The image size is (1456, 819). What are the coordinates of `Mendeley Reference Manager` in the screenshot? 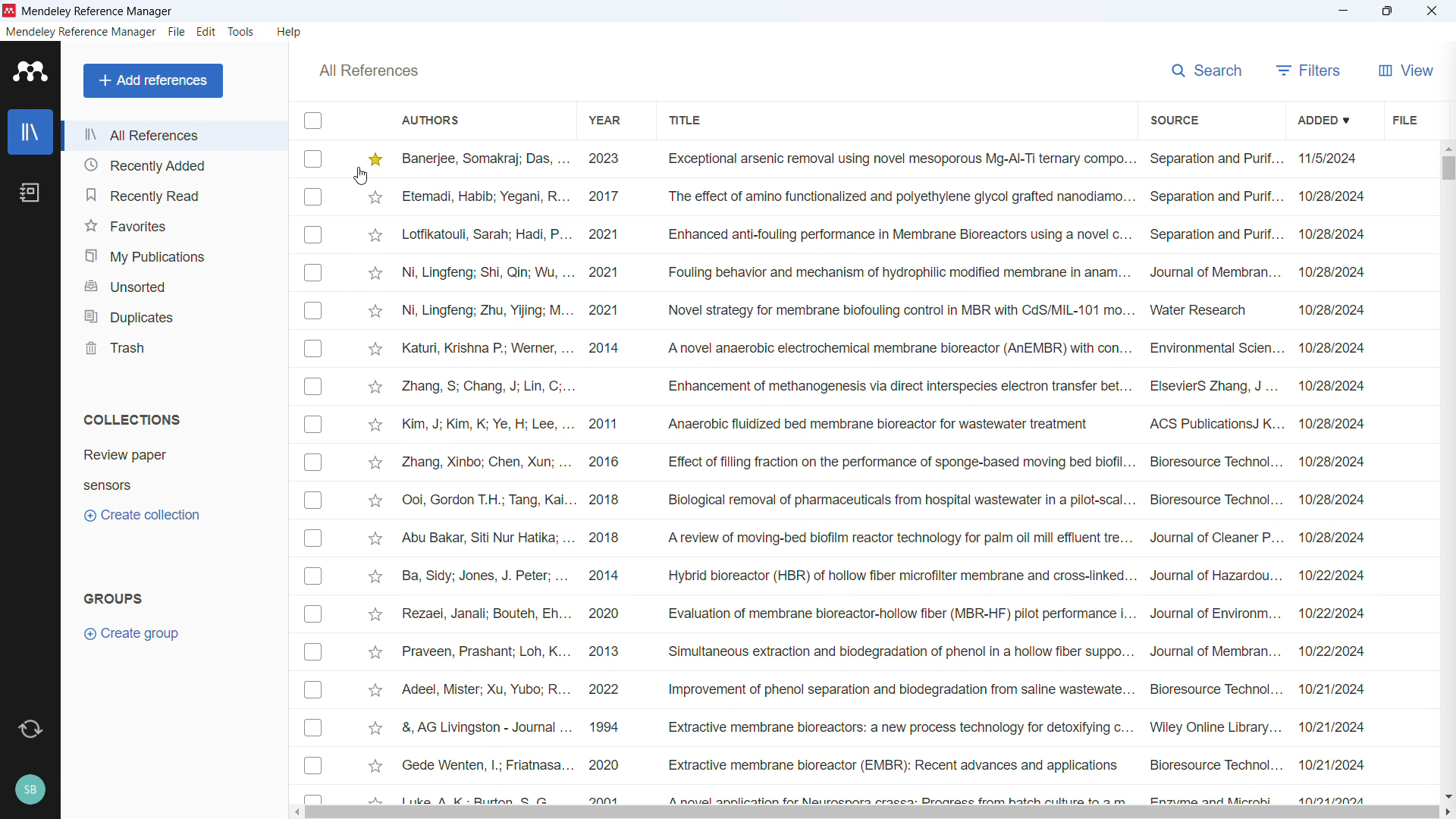 It's located at (99, 11).